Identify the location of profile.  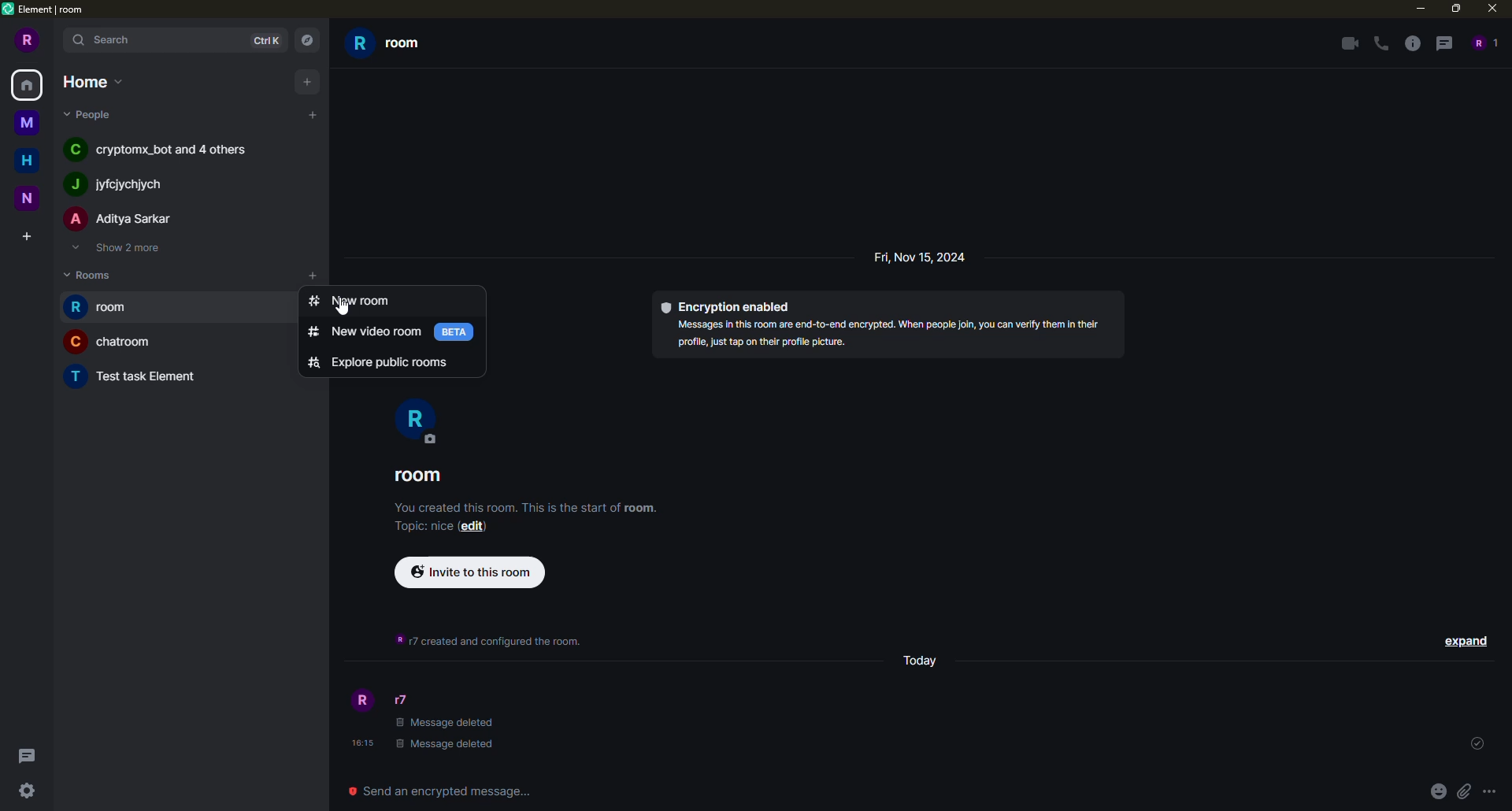
(29, 39).